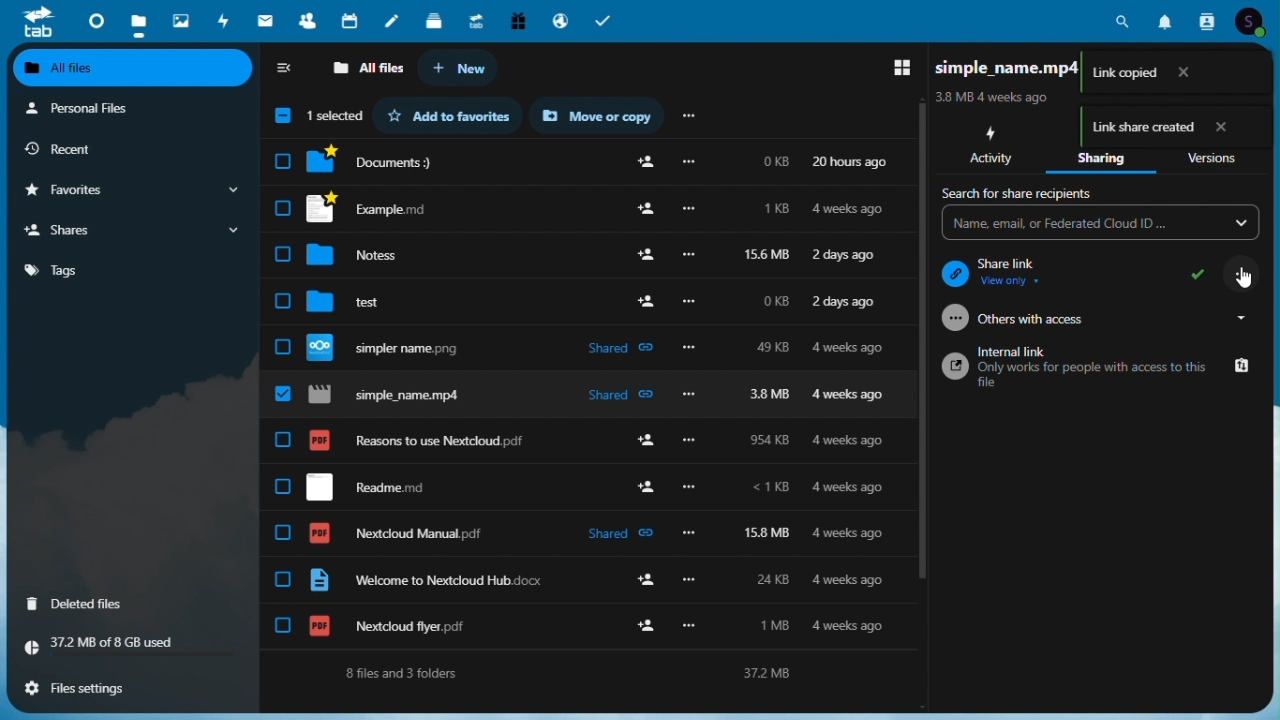  I want to click on All files, so click(369, 67).